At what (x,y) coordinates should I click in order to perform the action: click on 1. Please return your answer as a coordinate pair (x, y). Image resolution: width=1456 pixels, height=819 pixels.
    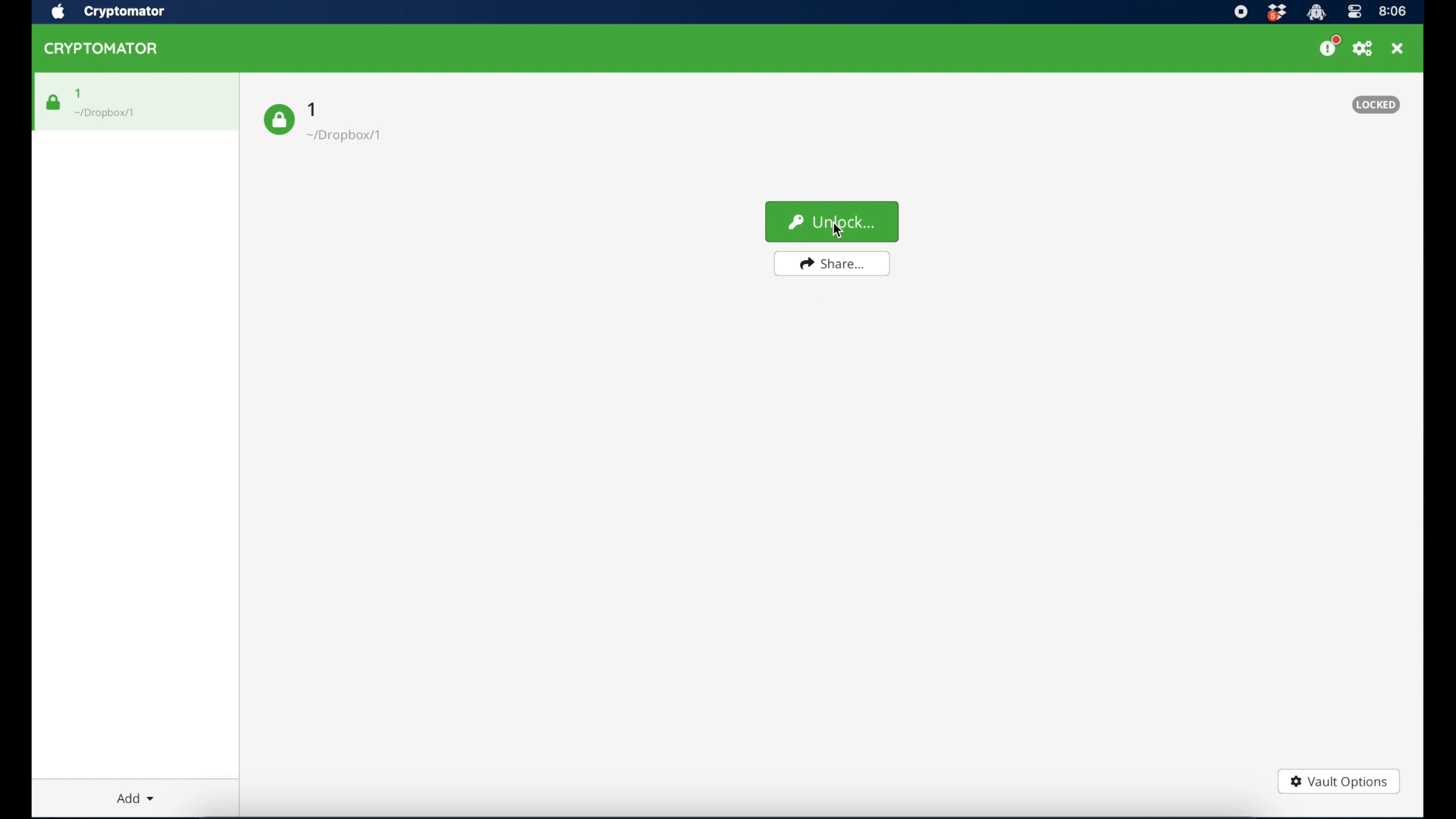
    Looking at the image, I should click on (314, 109).